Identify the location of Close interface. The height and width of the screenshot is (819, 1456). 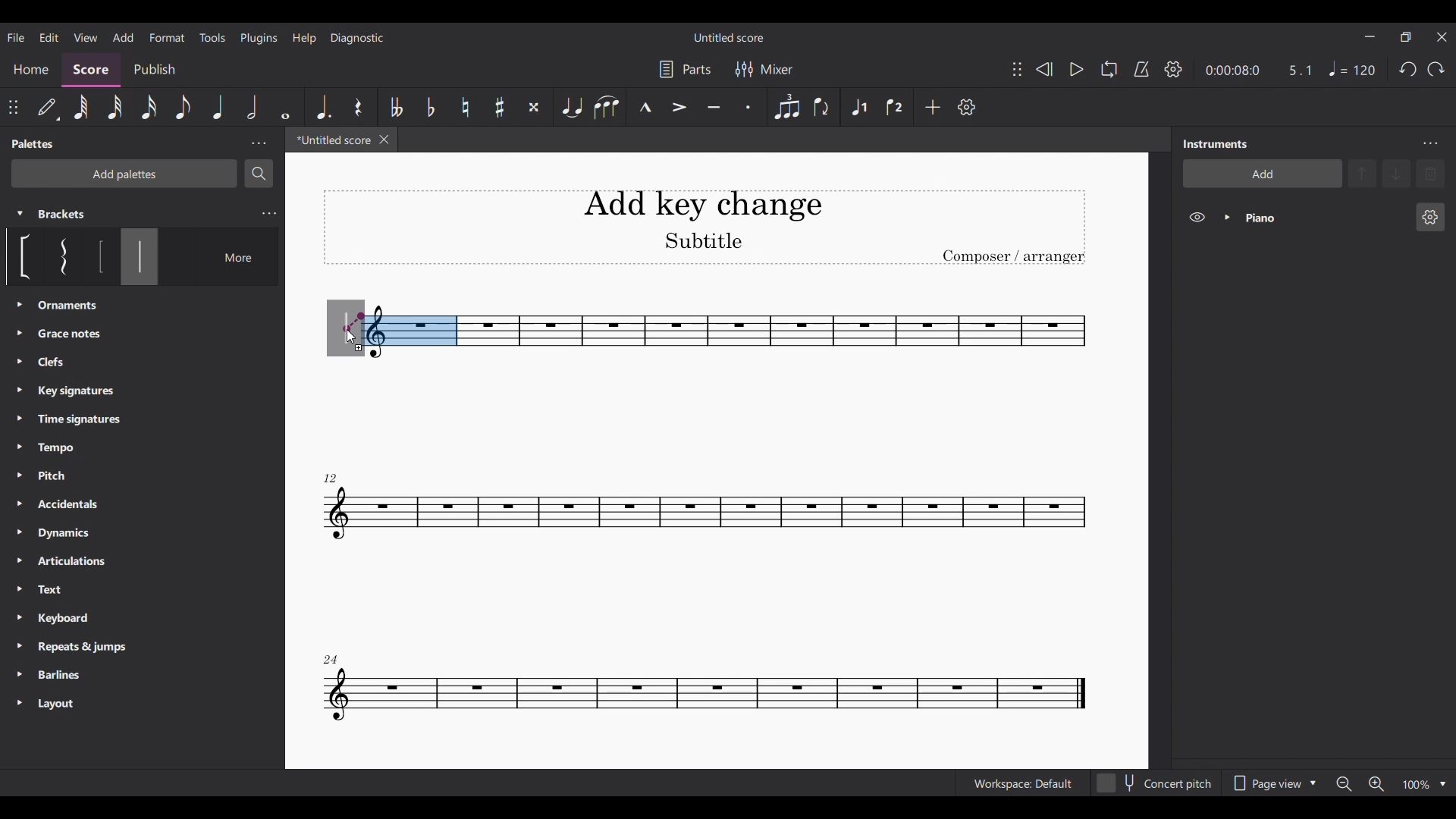
(1441, 37).